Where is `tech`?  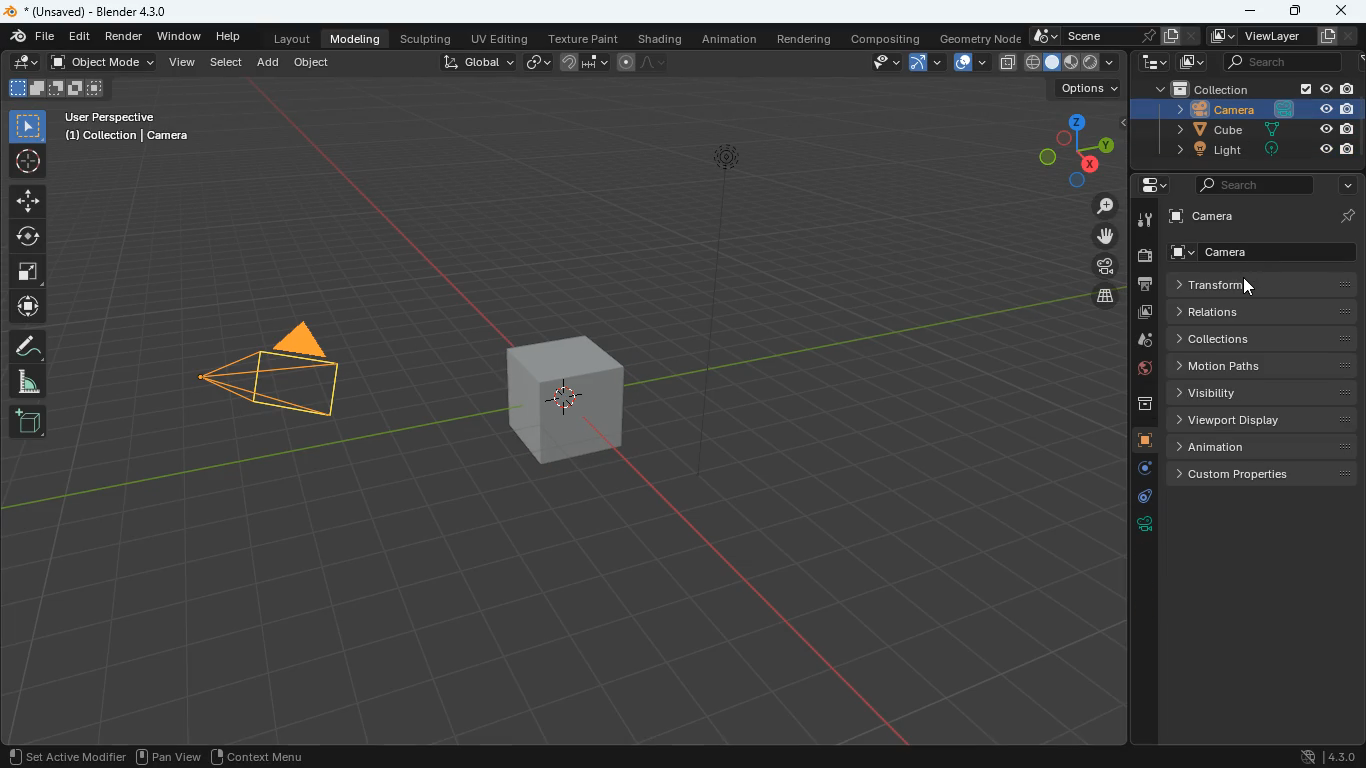 tech is located at coordinates (1152, 63).